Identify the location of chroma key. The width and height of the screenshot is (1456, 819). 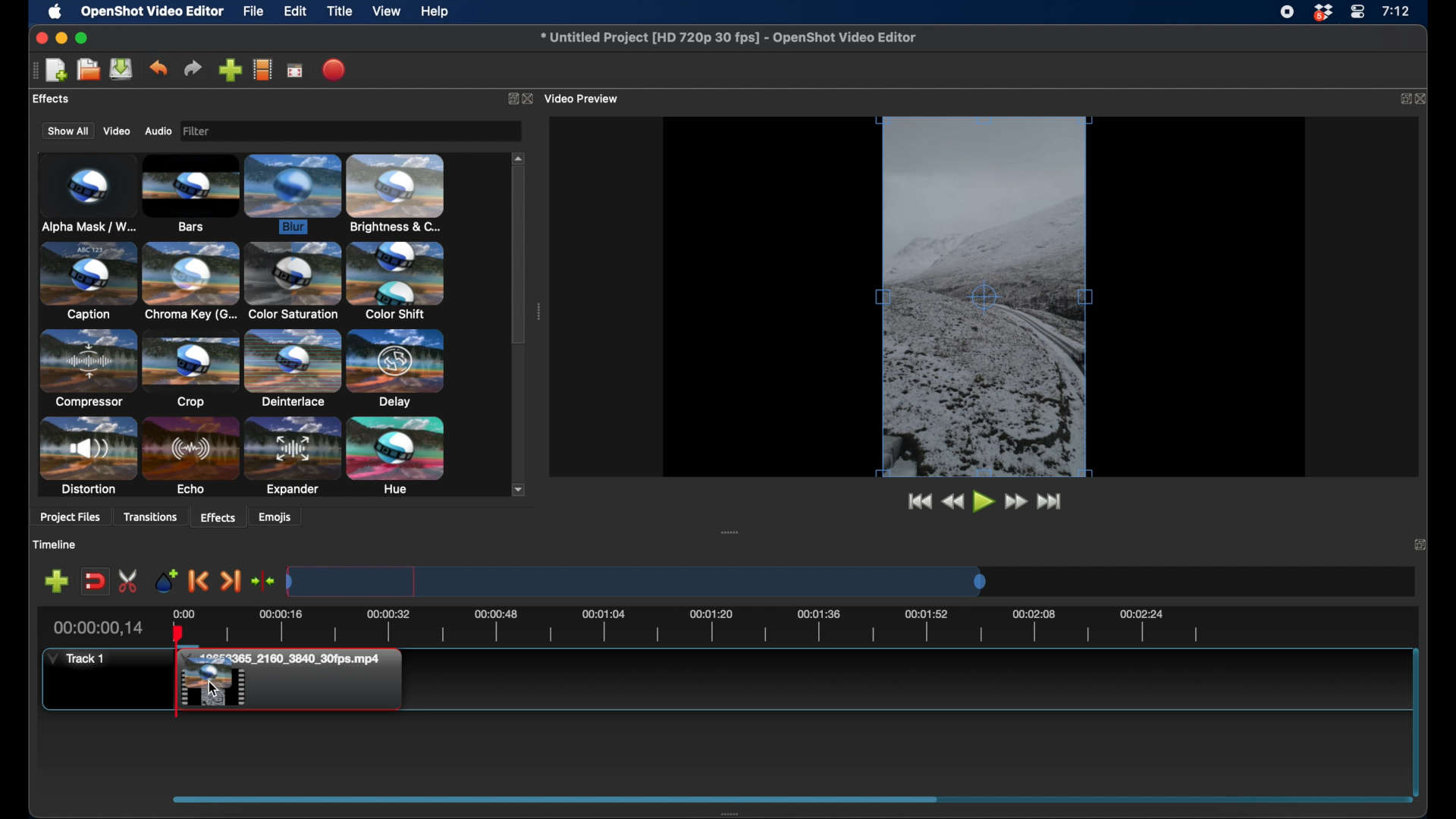
(191, 281).